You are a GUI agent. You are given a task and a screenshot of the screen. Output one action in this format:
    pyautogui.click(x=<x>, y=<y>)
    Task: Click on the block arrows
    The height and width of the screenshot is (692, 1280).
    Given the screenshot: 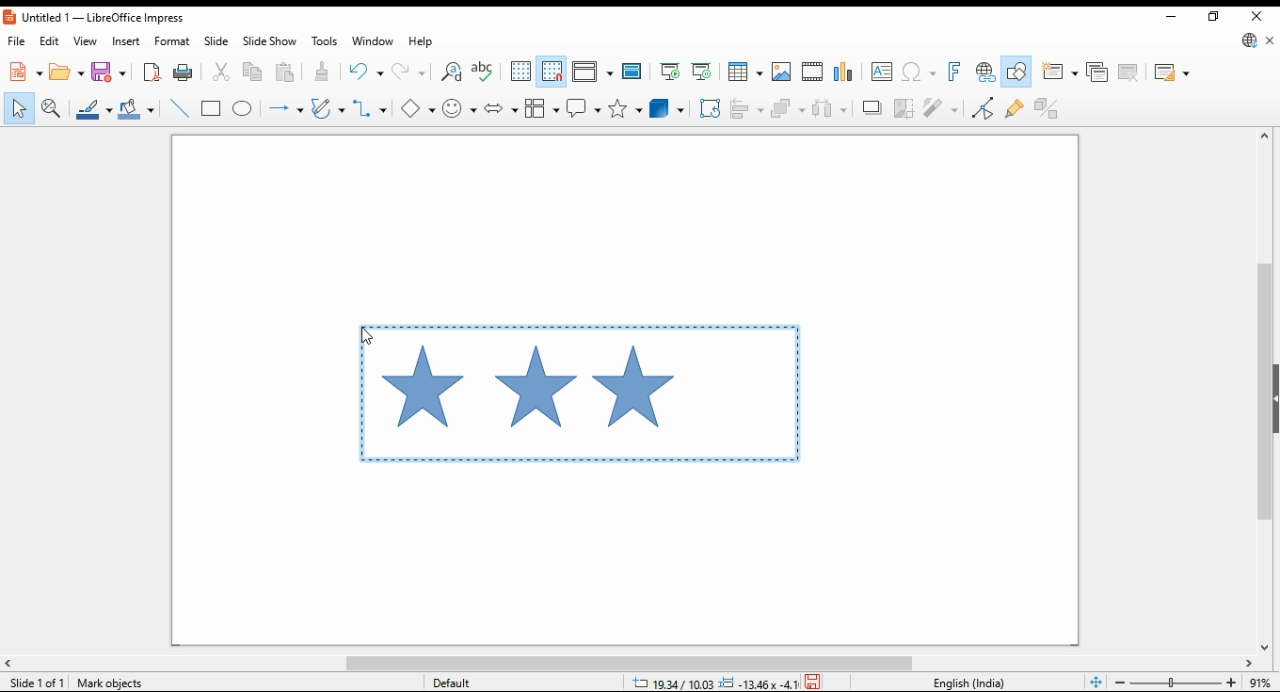 What is the action you would take?
    pyautogui.click(x=500, y=107)
    